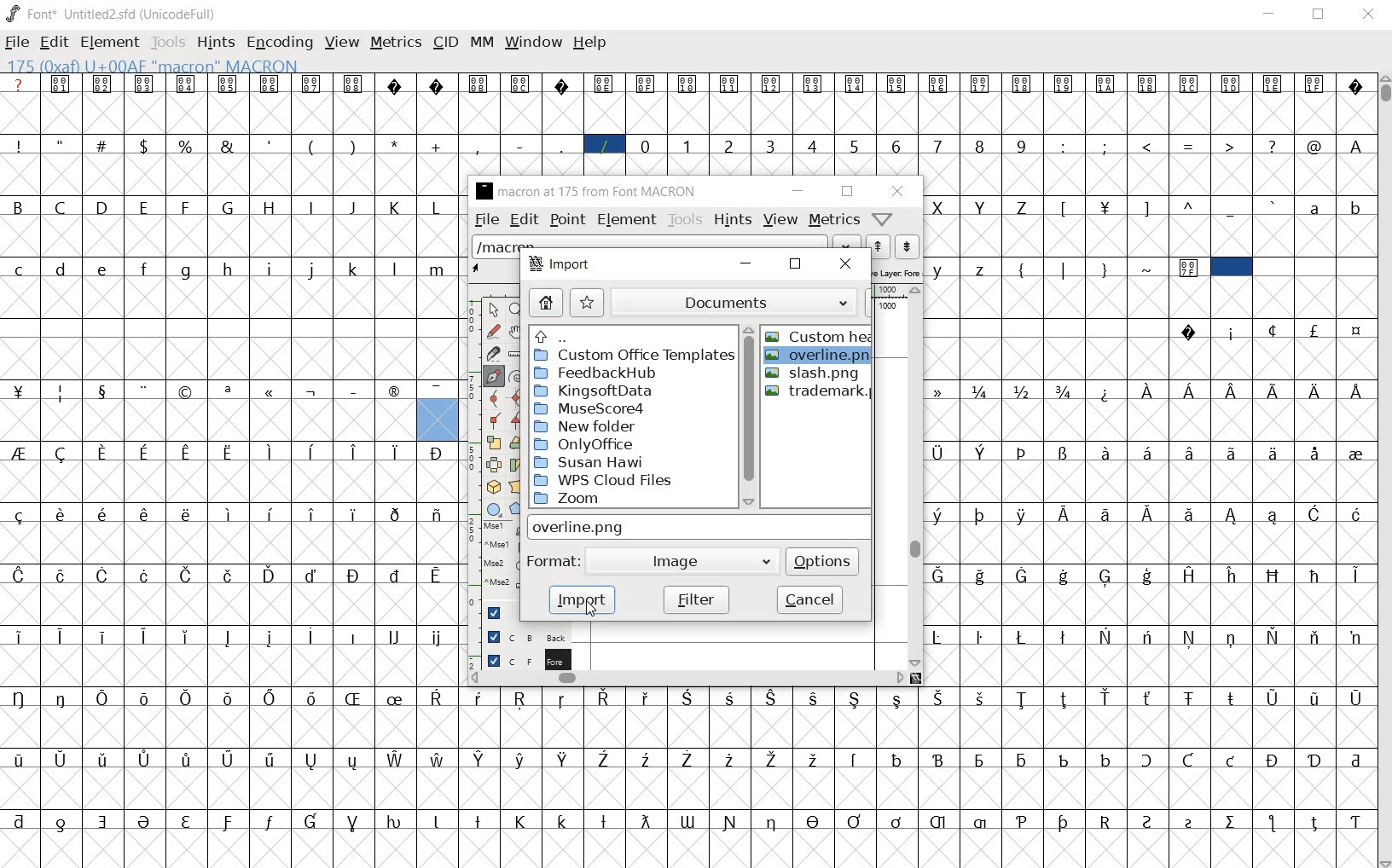 The height and width of the screenshot is (868, 1392). Describe the element at coordinates (896, 697) in the screenshot. I see `Symbol` at that location.